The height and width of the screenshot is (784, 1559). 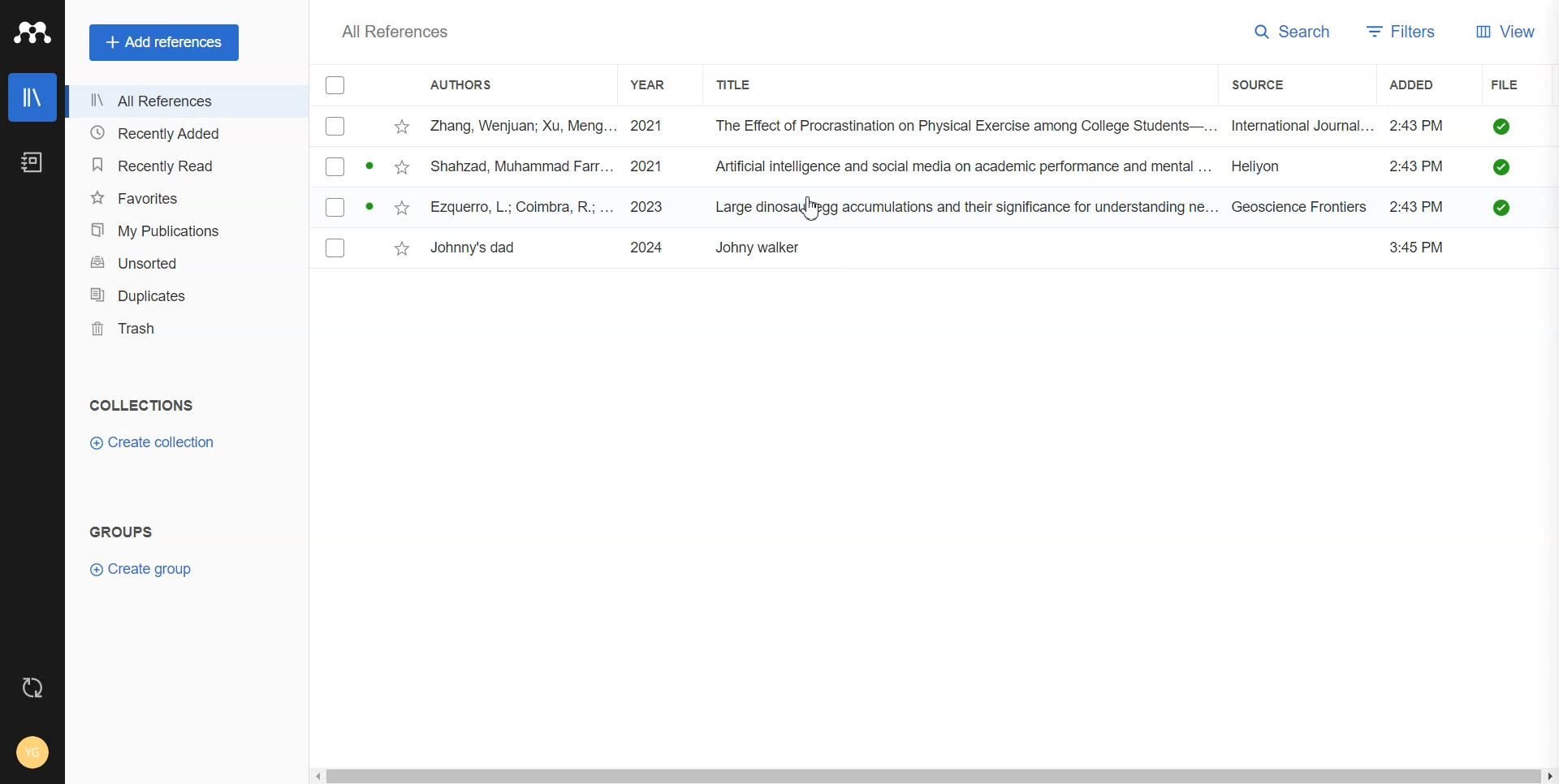 I want to click on unread, so click(x=368, y=166).